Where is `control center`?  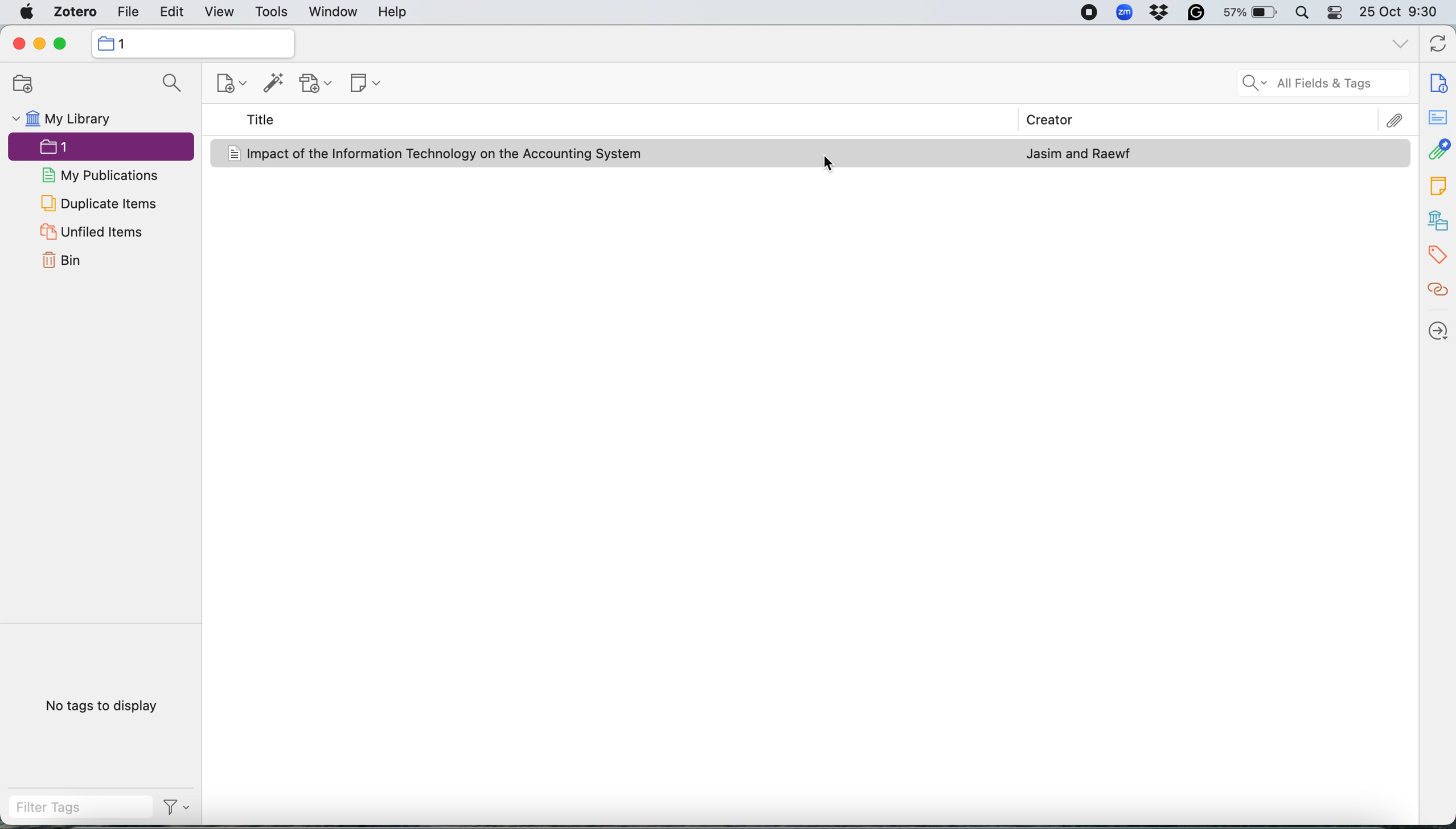 control center is located at coordinates (1334, 13).